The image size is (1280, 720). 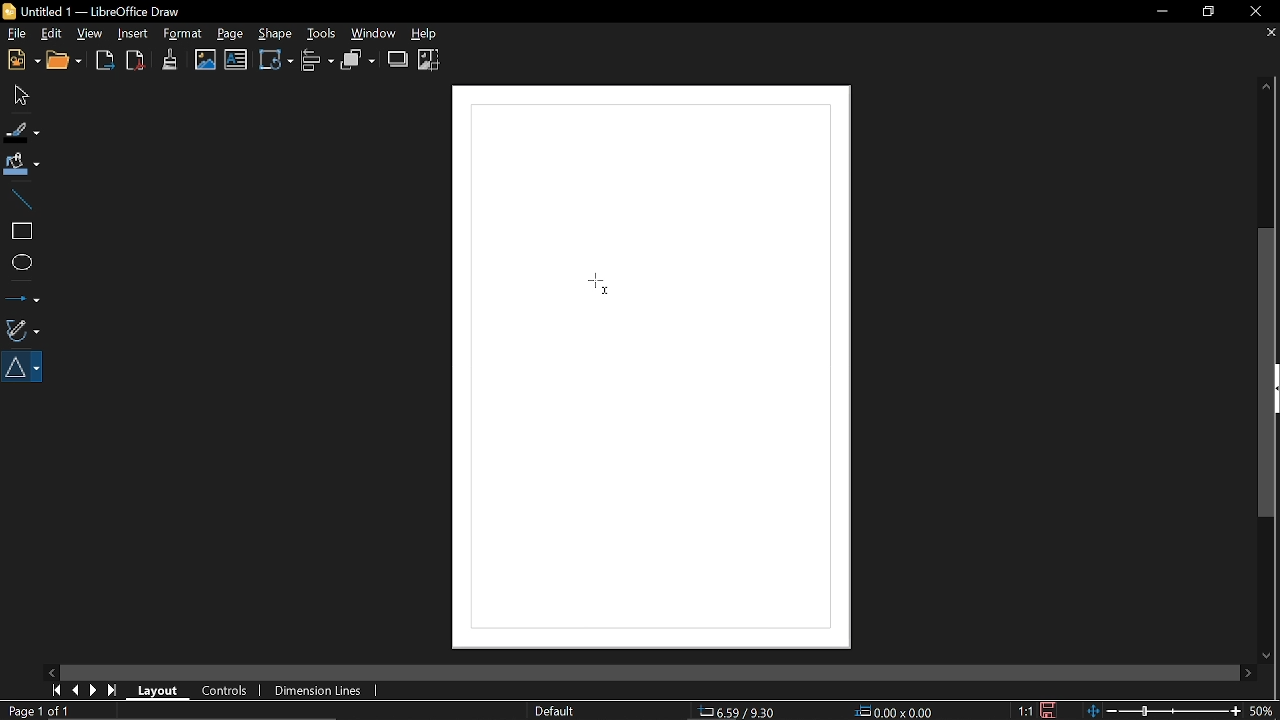 I want to click on shape, so click(x=274, y=33).